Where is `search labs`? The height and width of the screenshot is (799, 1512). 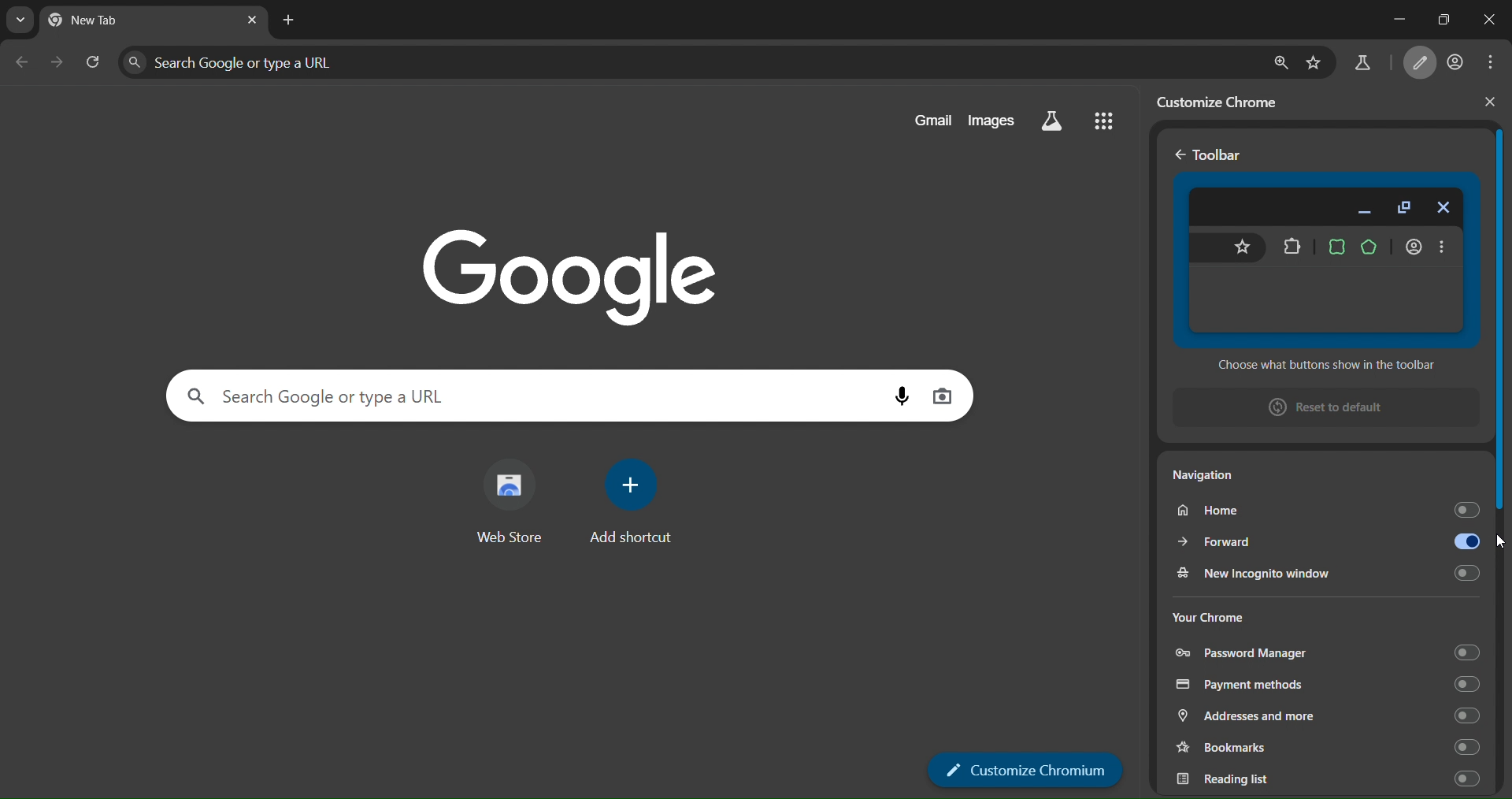
search labs is located at coordinates (1053, 121).